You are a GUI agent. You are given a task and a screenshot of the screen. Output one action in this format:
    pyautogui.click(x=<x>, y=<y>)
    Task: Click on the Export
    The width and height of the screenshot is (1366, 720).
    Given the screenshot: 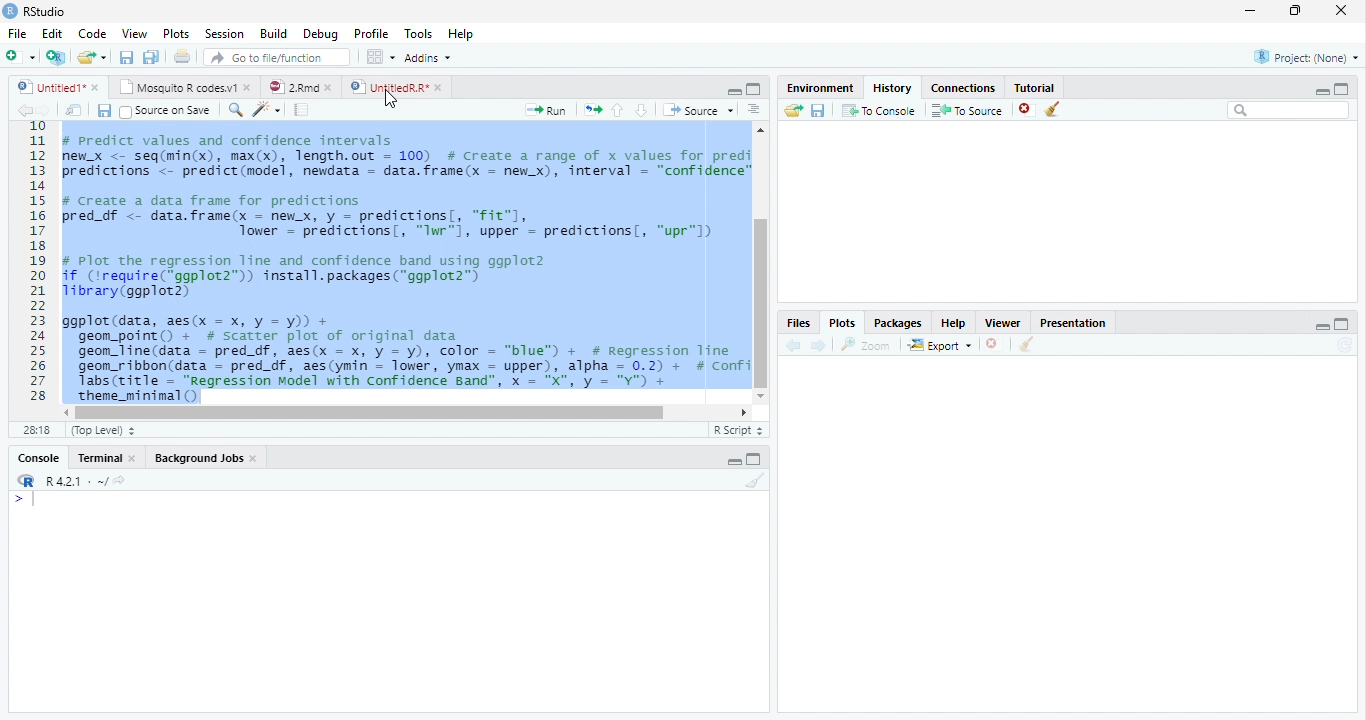 What is the action you would take?
    pyautogui.click(x=939, y=346)
    